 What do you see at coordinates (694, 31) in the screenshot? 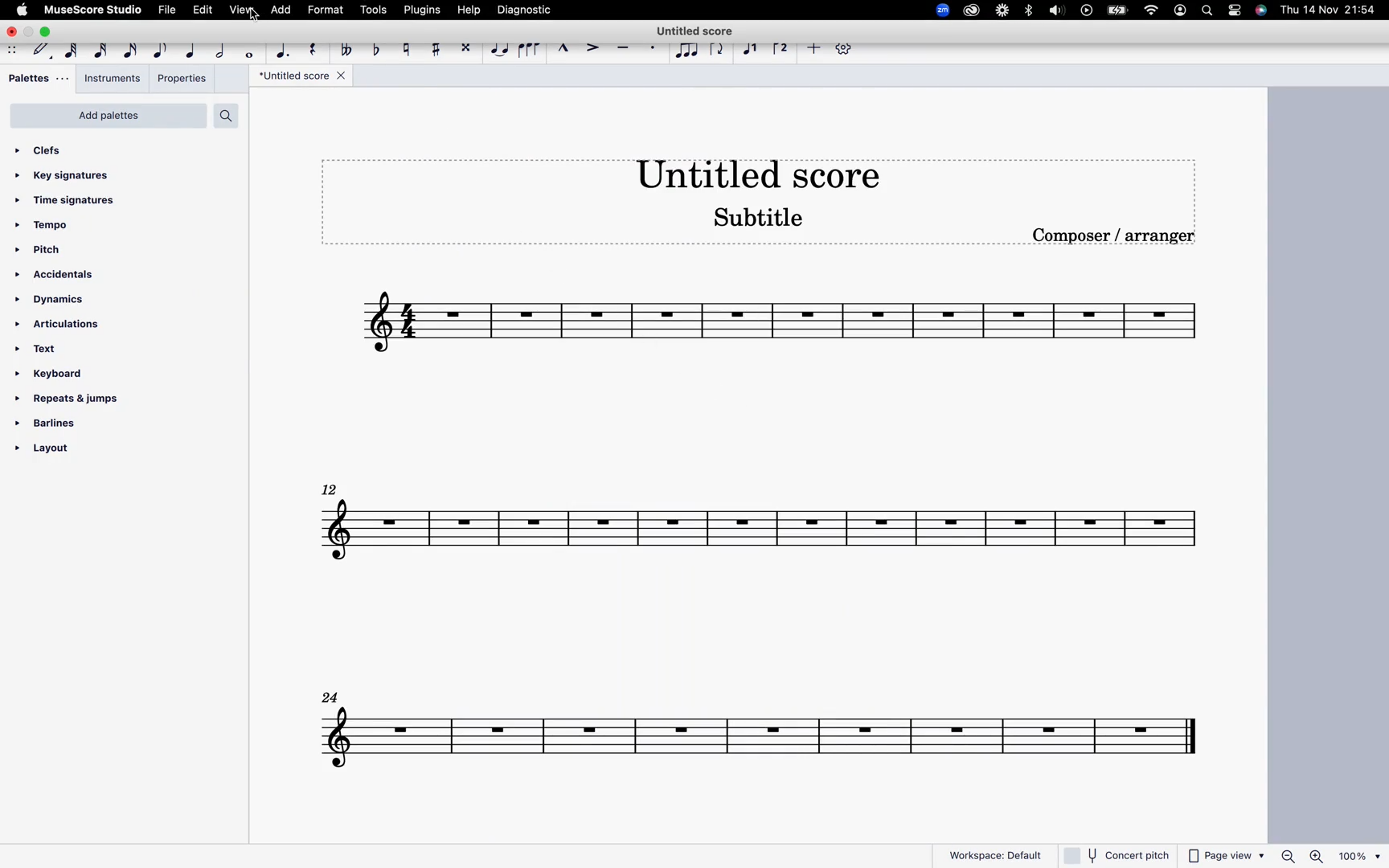
I see `score title` at bounding box center [694, 31].